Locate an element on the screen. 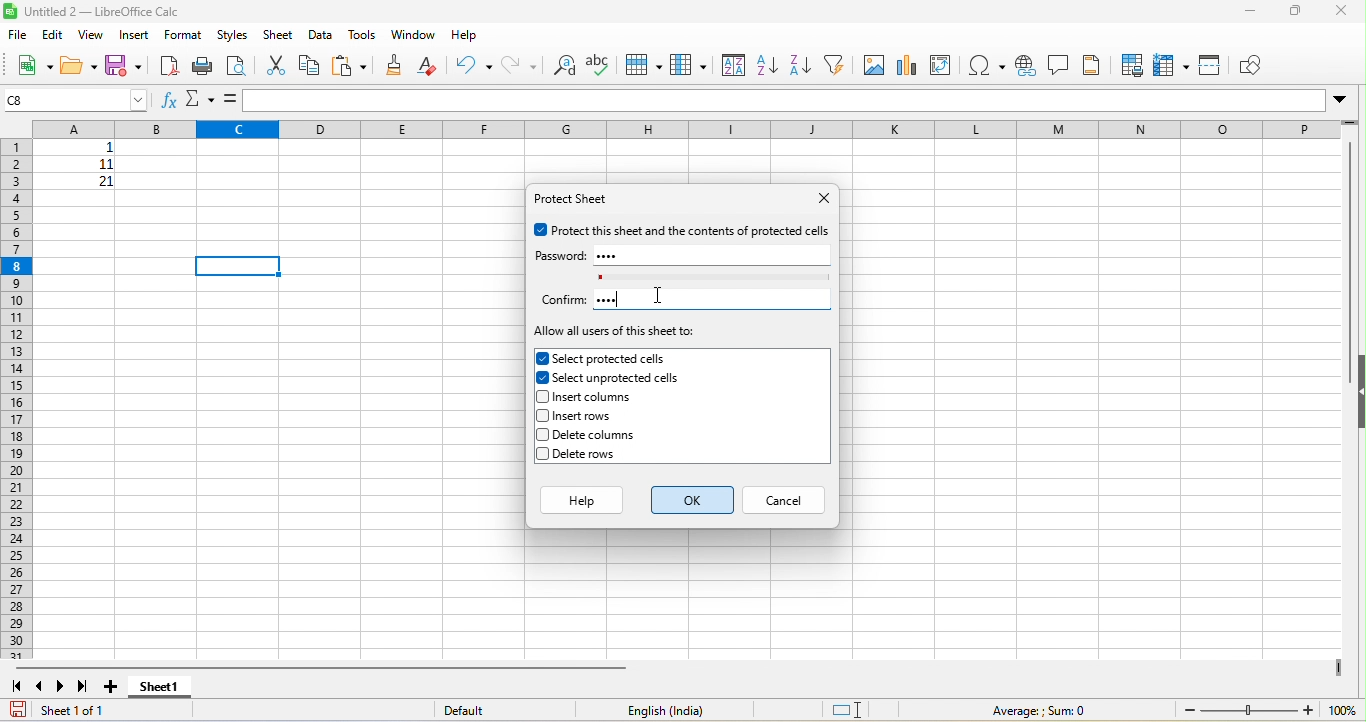 Image resolution: width=1366 pixels, height=722 pixels. undo is located at coordinates (474, 66).